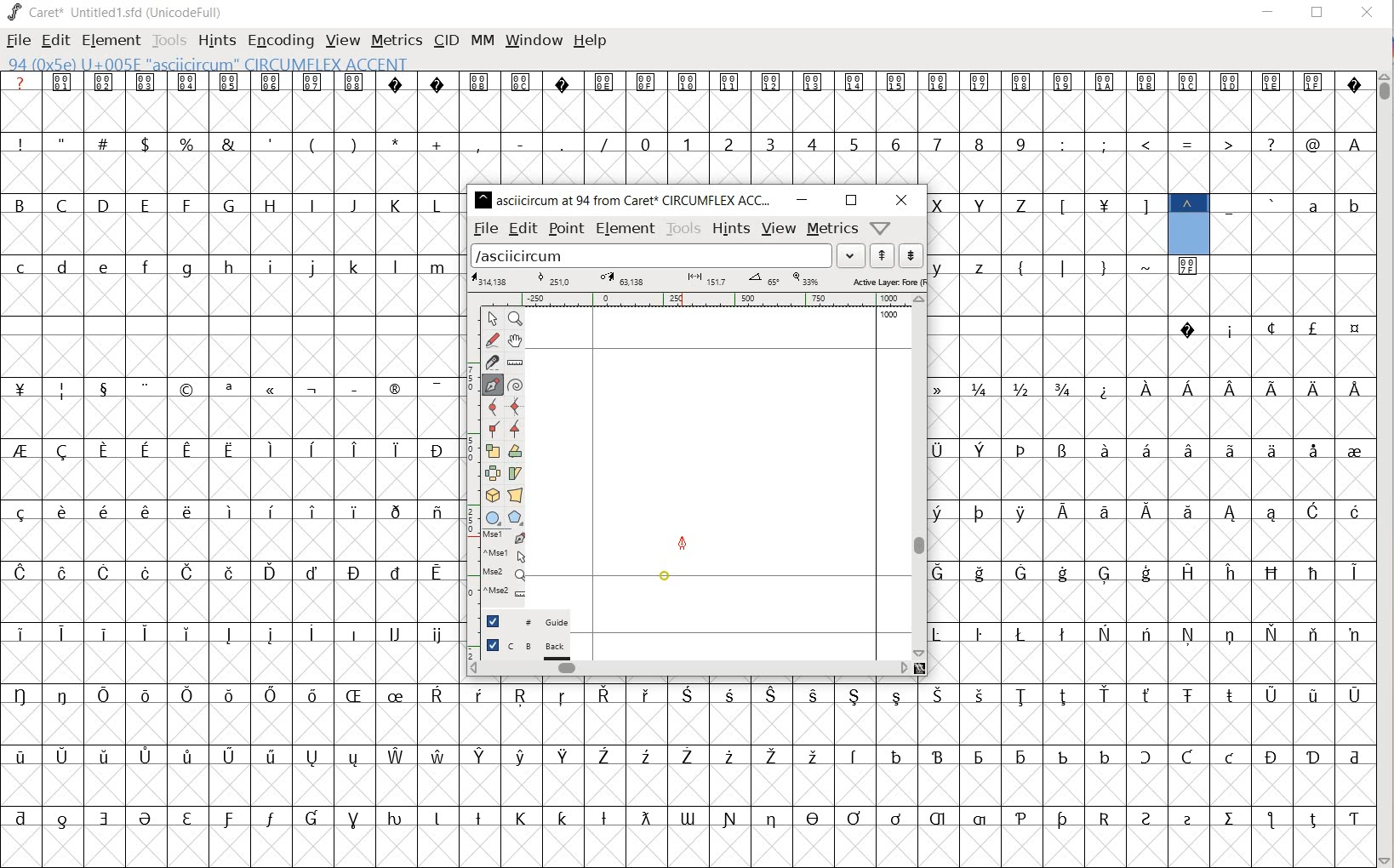 Image resolution: width=1394 pixels, height=868 pixels. Describe the element at coordinates (109, 40) in the screenshot. I see `ELEMENT` at that location.